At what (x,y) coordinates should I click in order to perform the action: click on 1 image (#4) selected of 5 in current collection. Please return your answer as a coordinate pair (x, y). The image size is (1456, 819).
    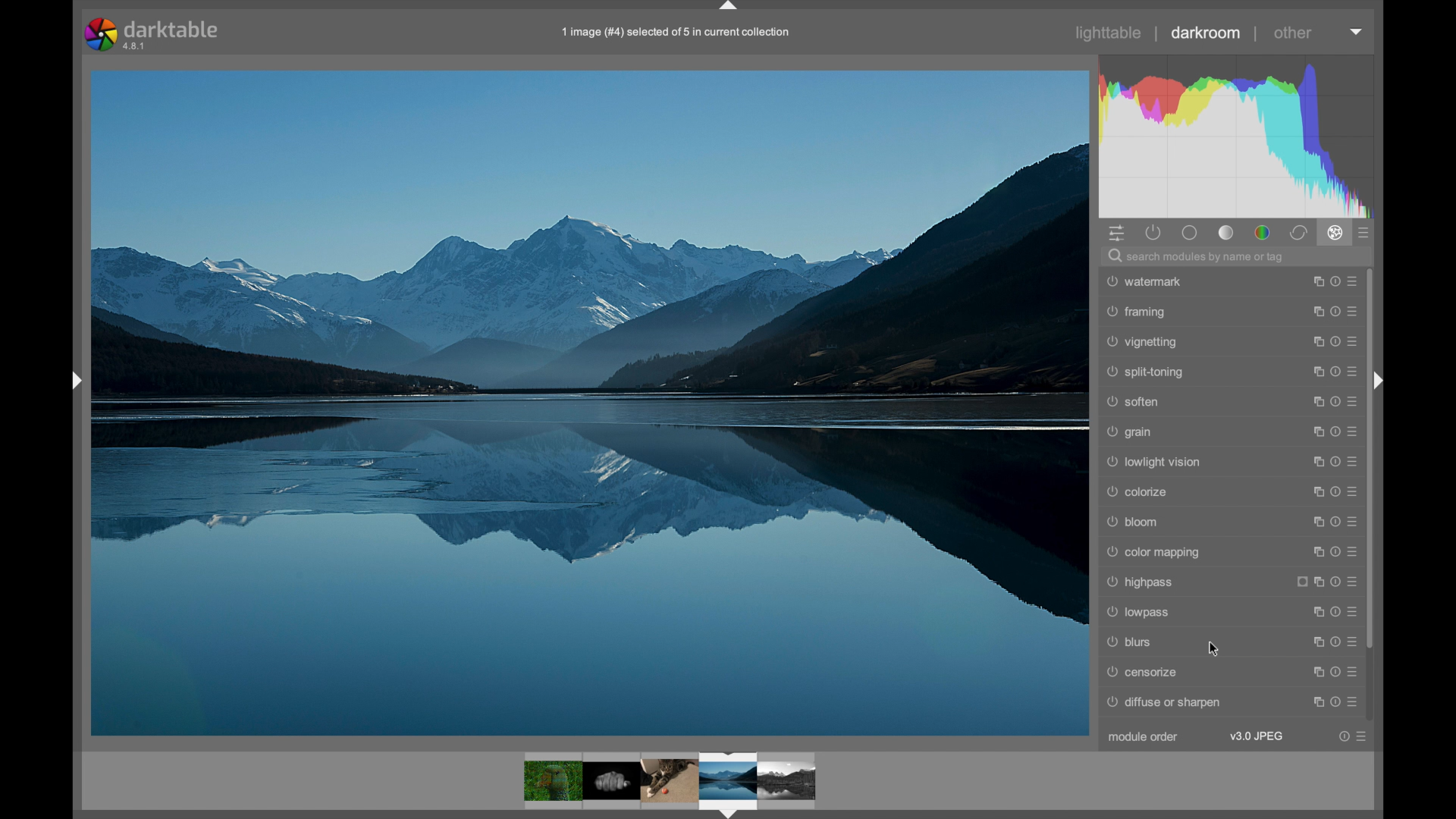
    Looking at the image, I should click on (673, 32).